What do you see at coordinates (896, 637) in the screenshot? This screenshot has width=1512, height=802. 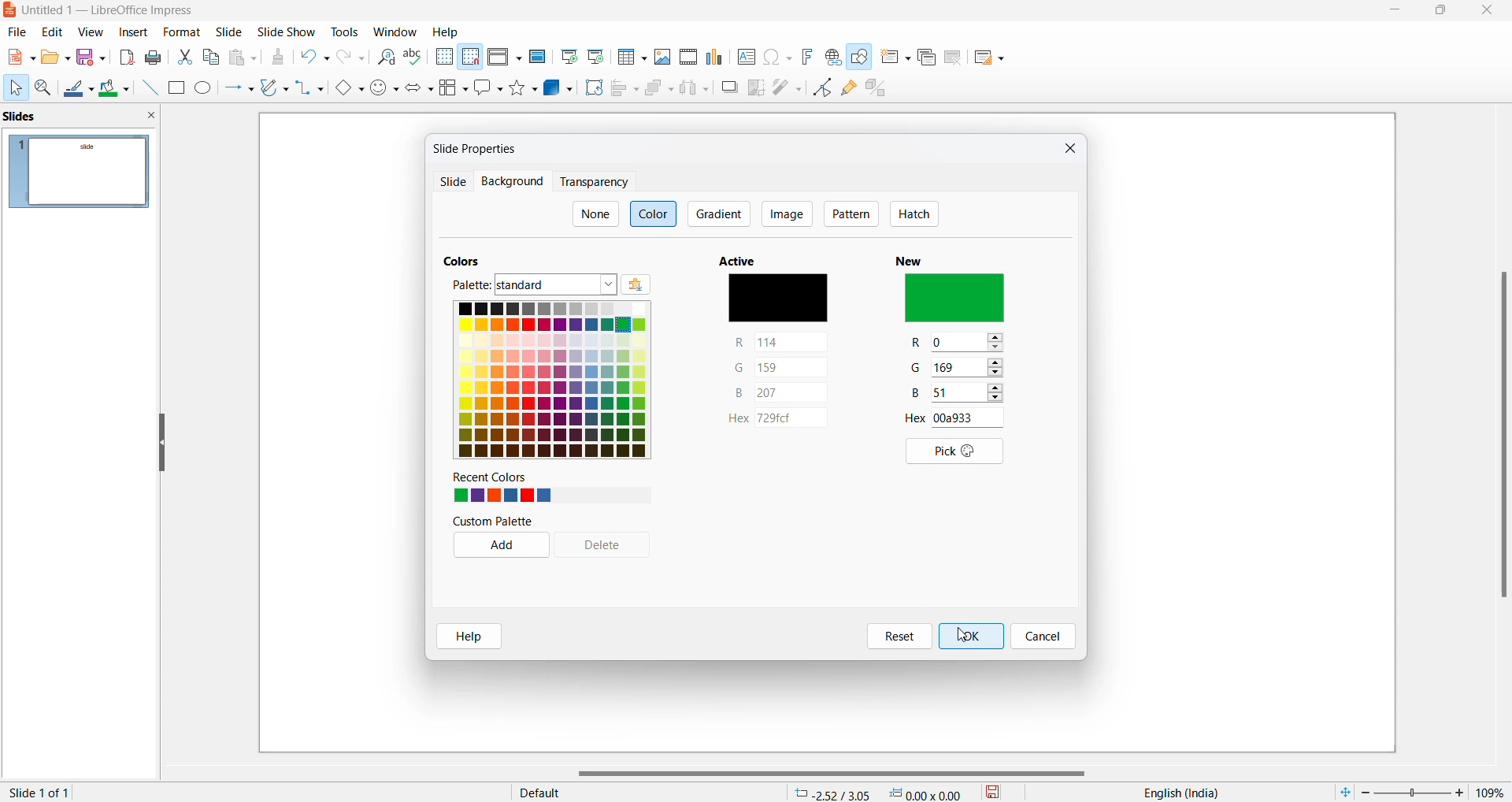 I see `reset` at bounding box center [896, 637].